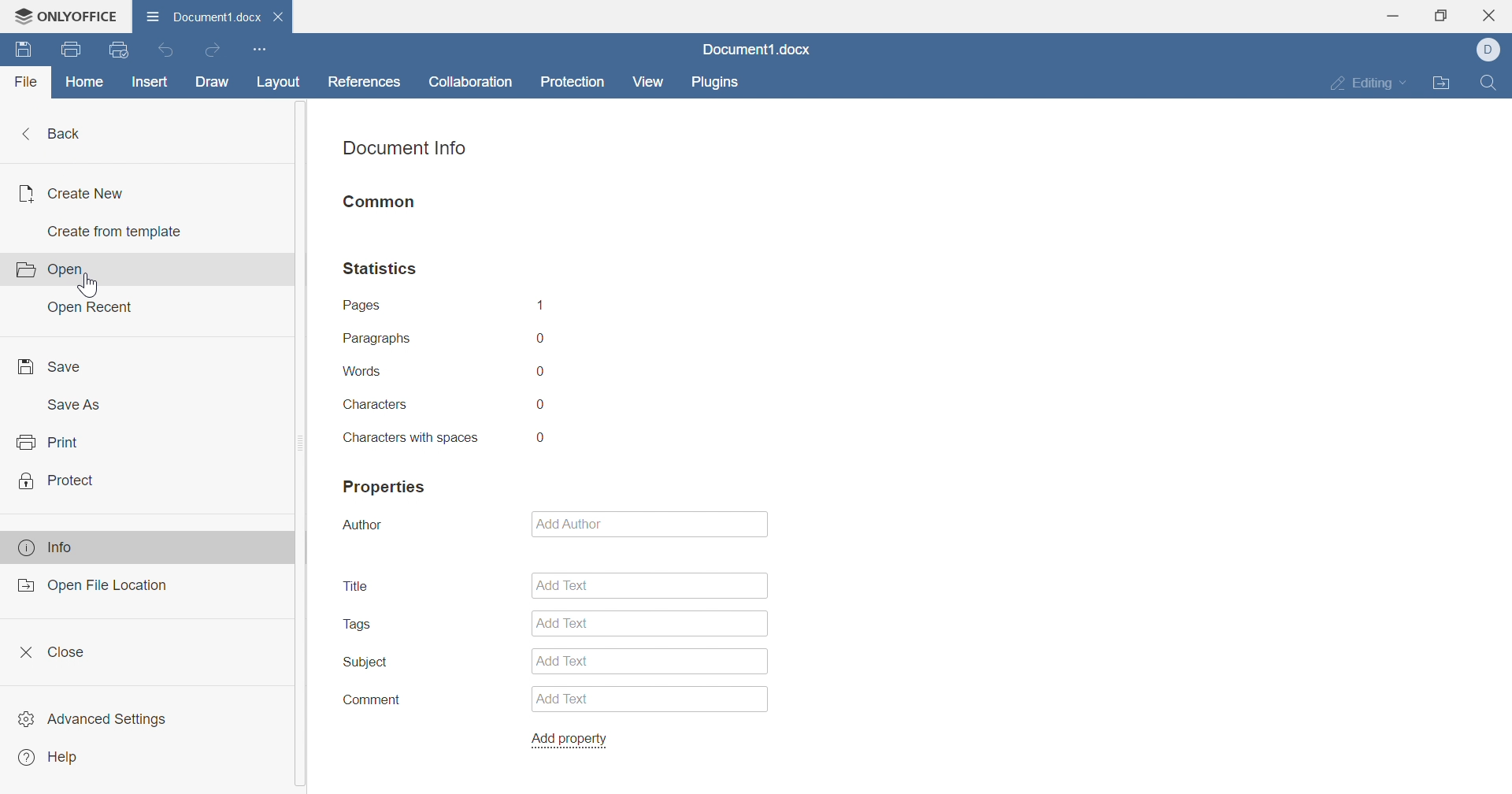  What do you see at coordinates (69, 47) in the screenshot?
I see `print` at bounding box center [69, 47].